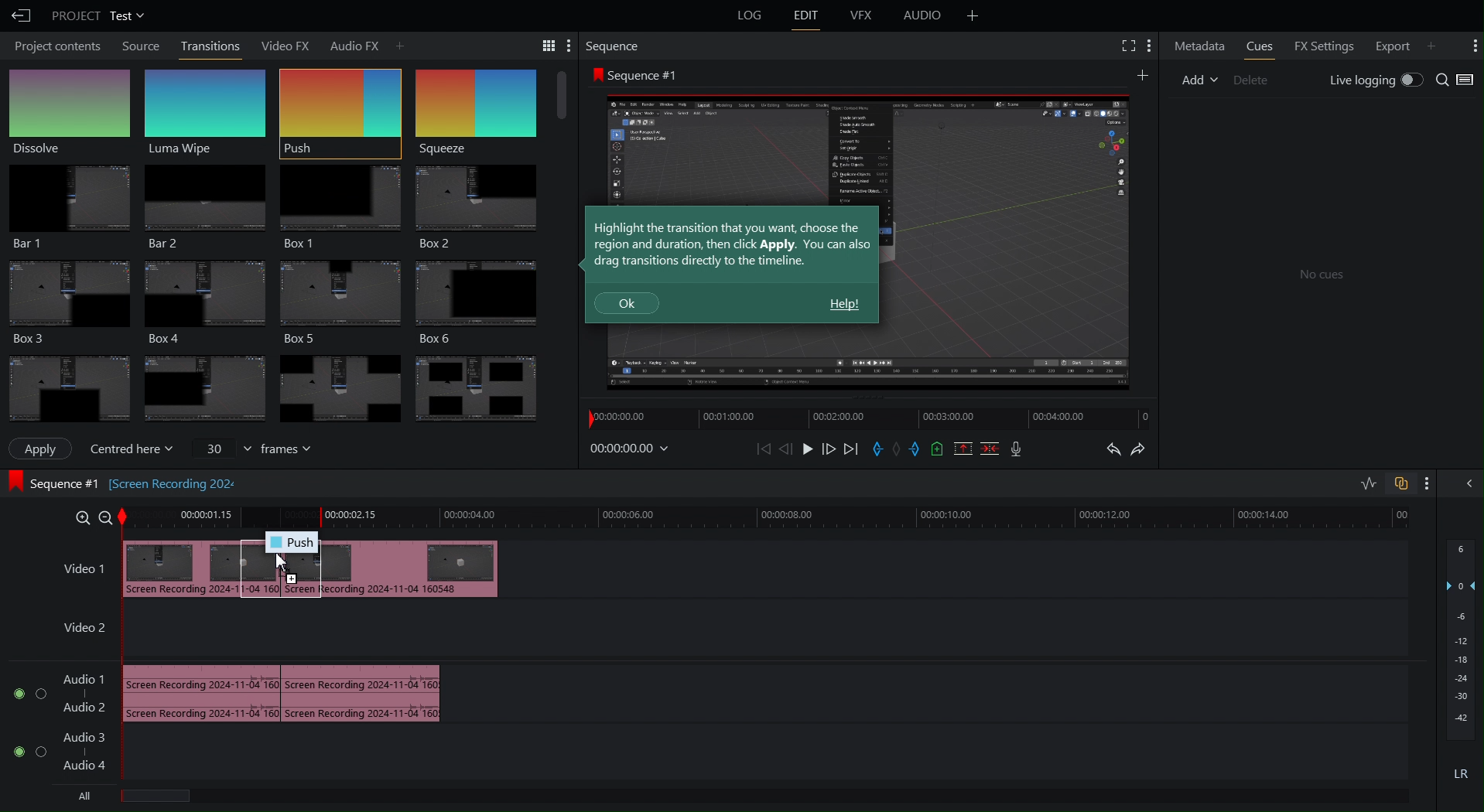  I want to click on Move Forward, so click(829, 450).